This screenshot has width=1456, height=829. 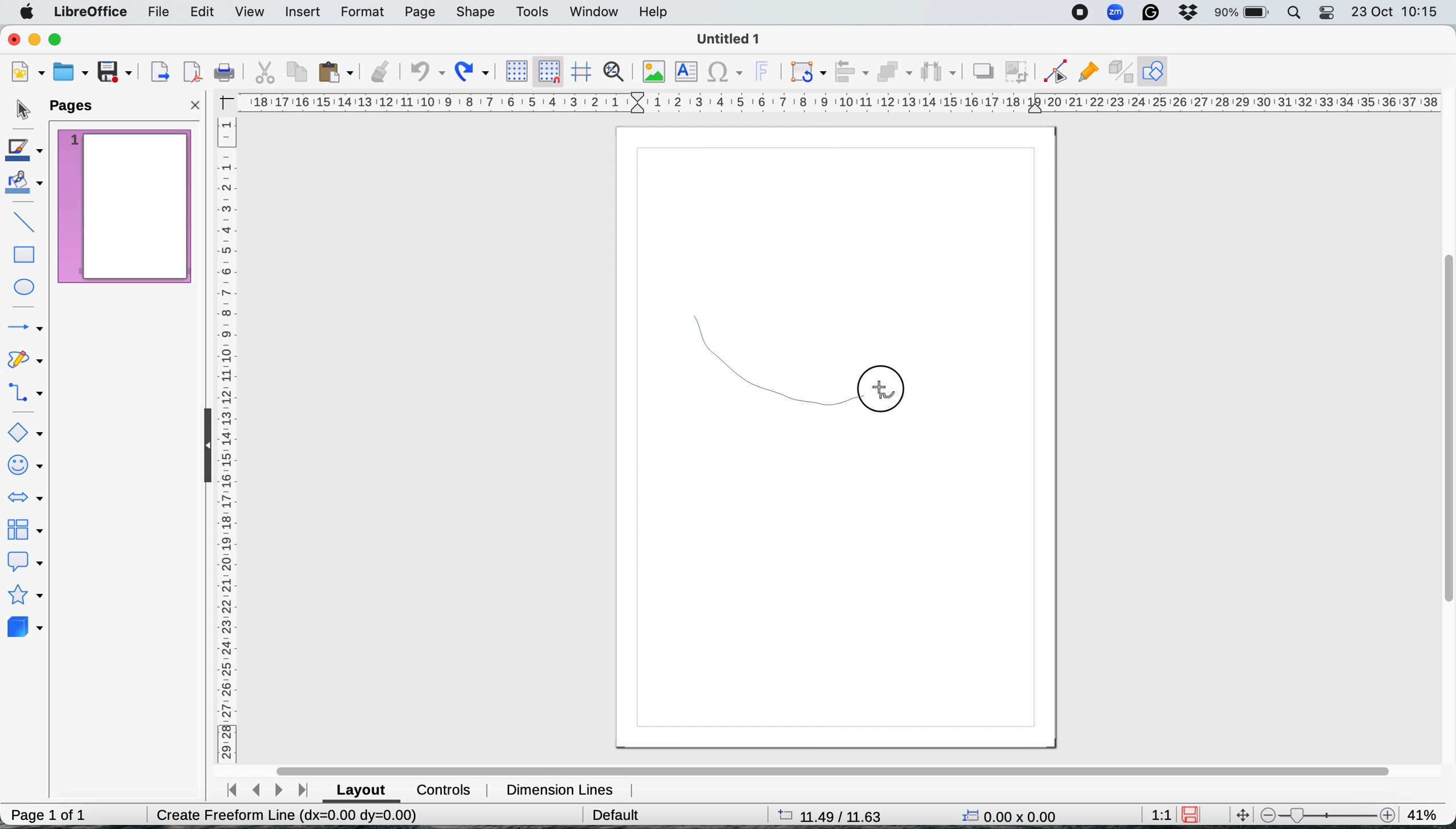 What do you see at coordinates (727, 73) in the screenshot?
I see `insert special characters` at bounding box center [727, 73].